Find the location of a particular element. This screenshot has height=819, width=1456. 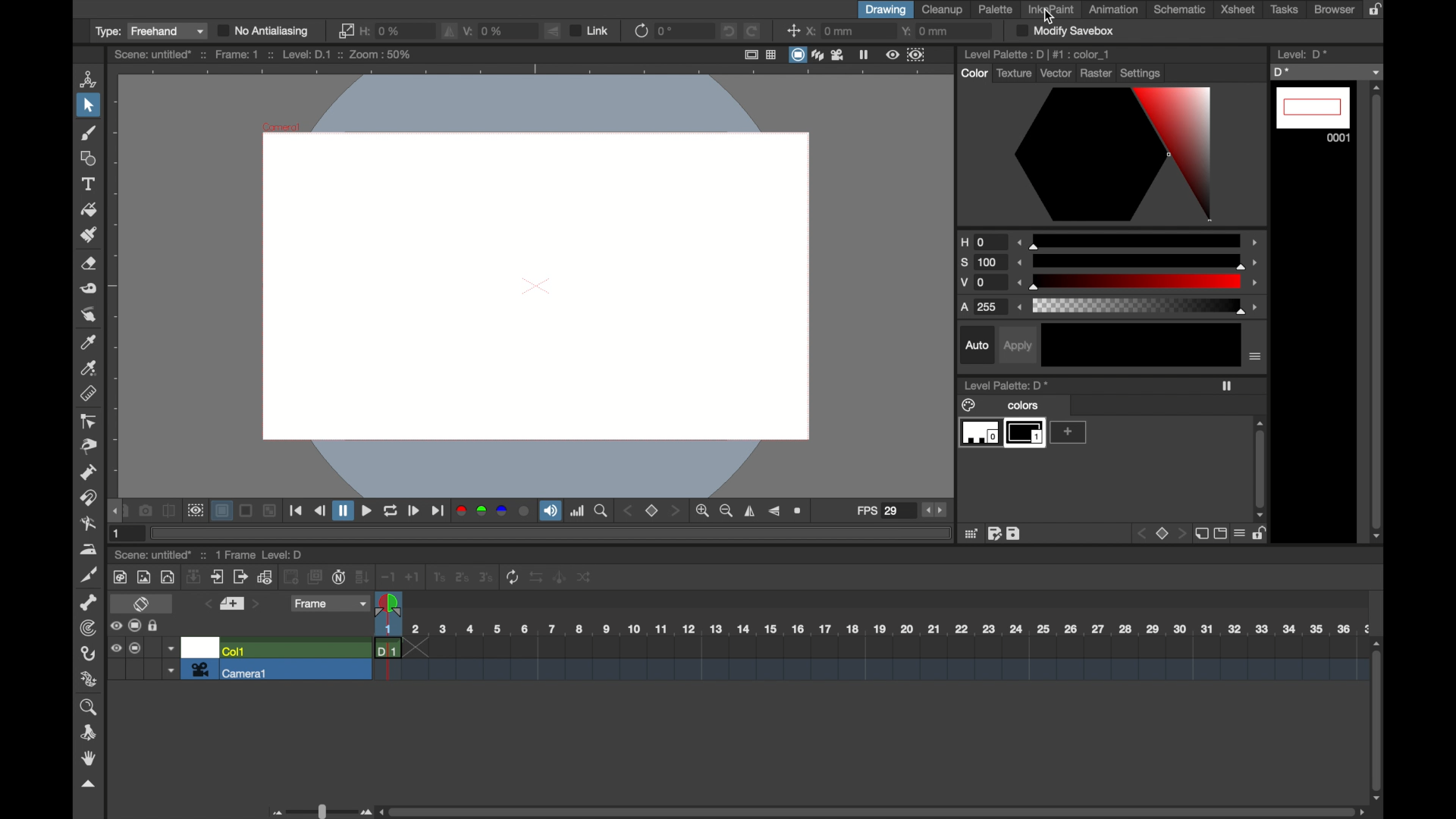

circle is located at coordinates (526, 511).